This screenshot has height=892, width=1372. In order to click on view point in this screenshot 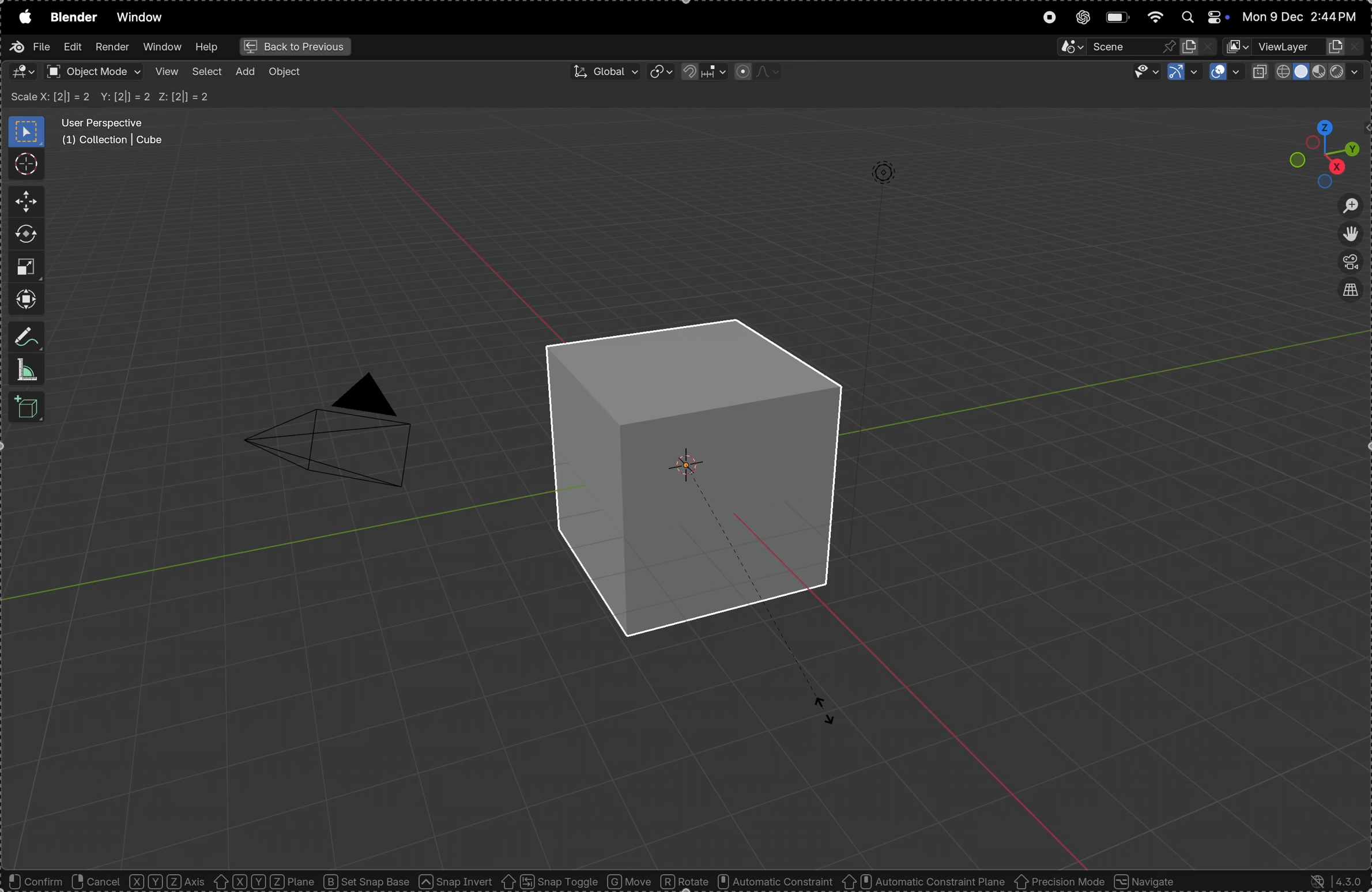, I will do `click(1314, 151)`.